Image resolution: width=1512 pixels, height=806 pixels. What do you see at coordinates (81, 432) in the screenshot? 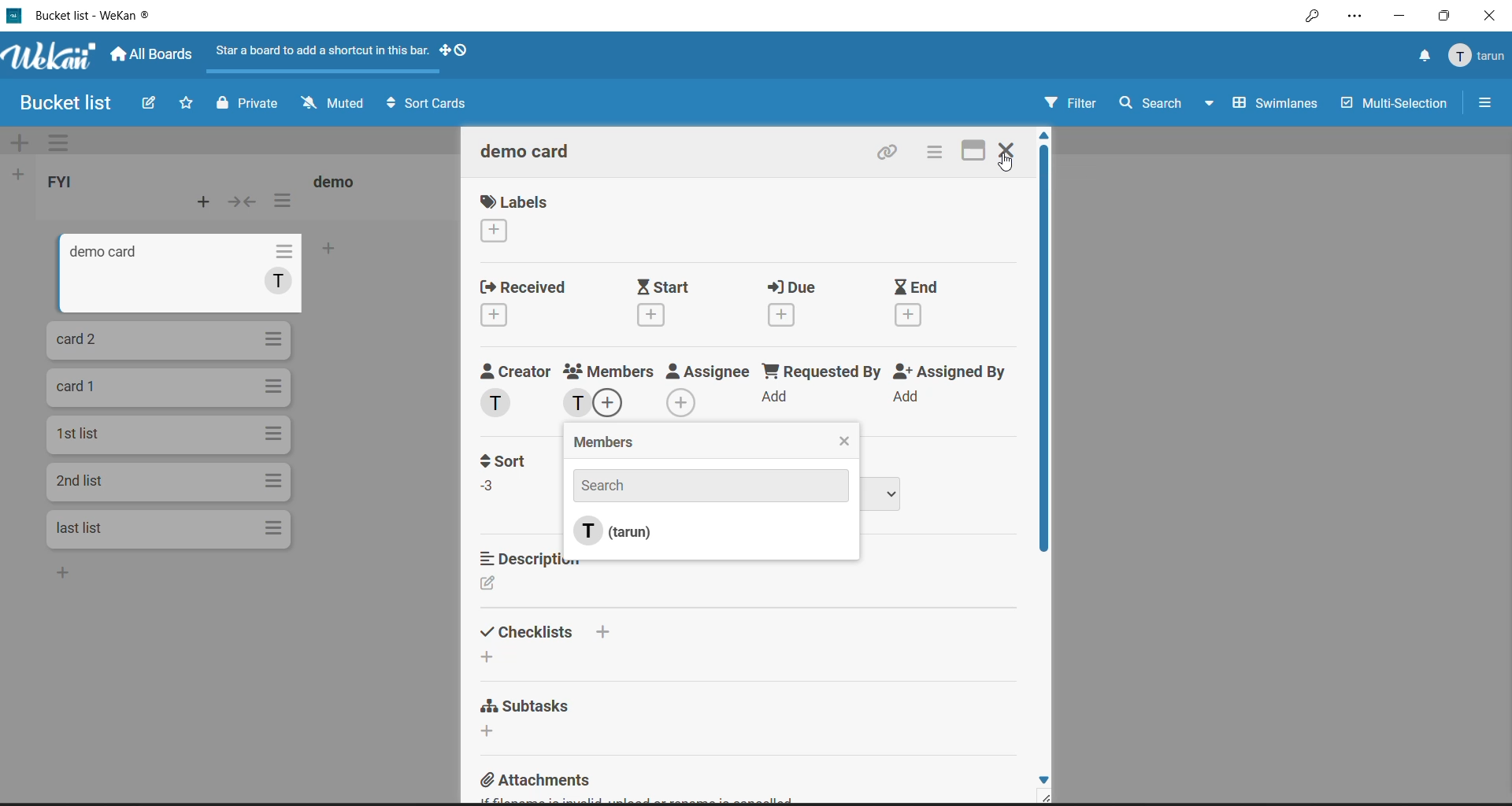
I see `card title` at bounding box center [81, 432].